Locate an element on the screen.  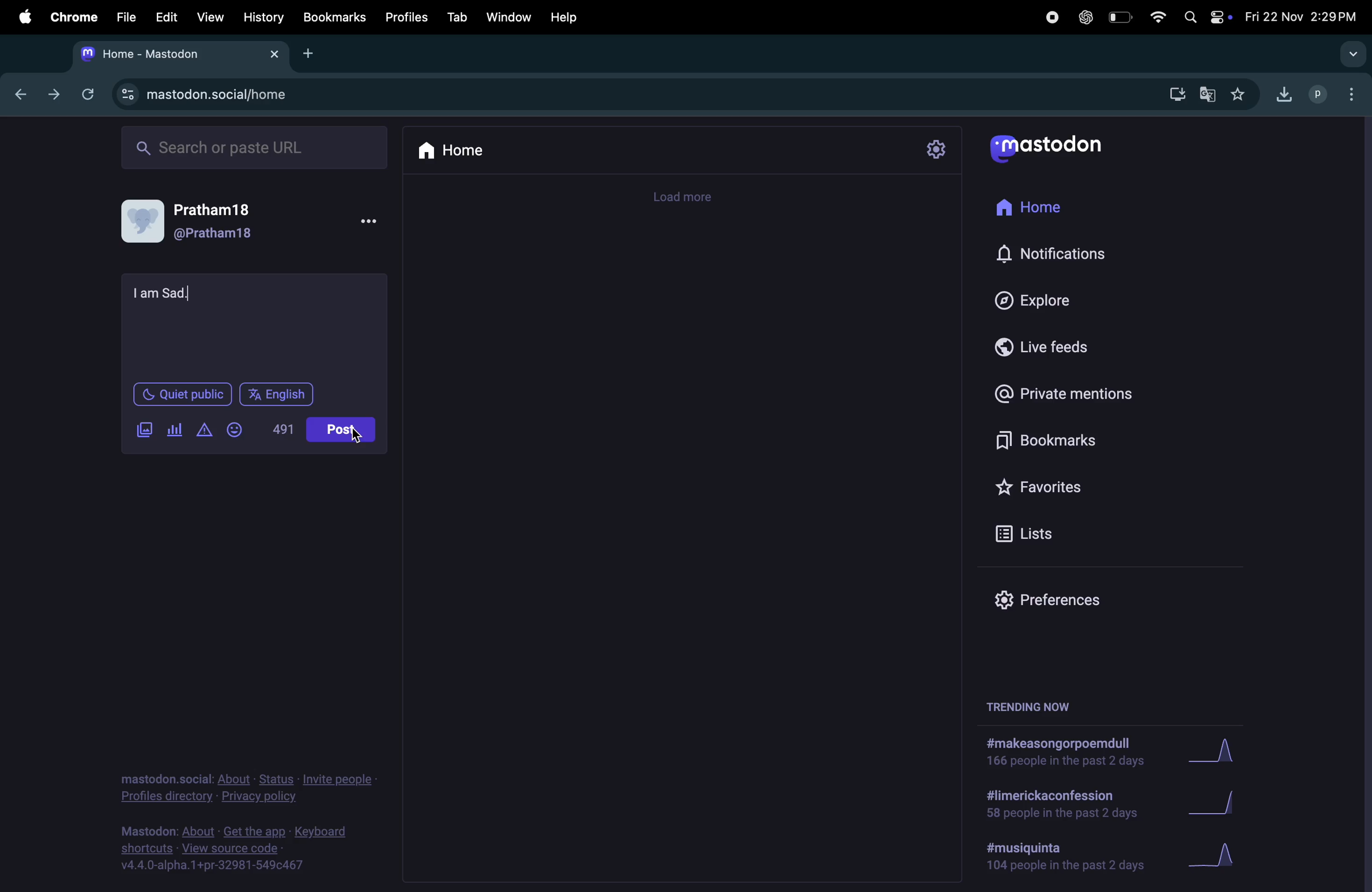
favourites is located at coordinates (1088, 486).